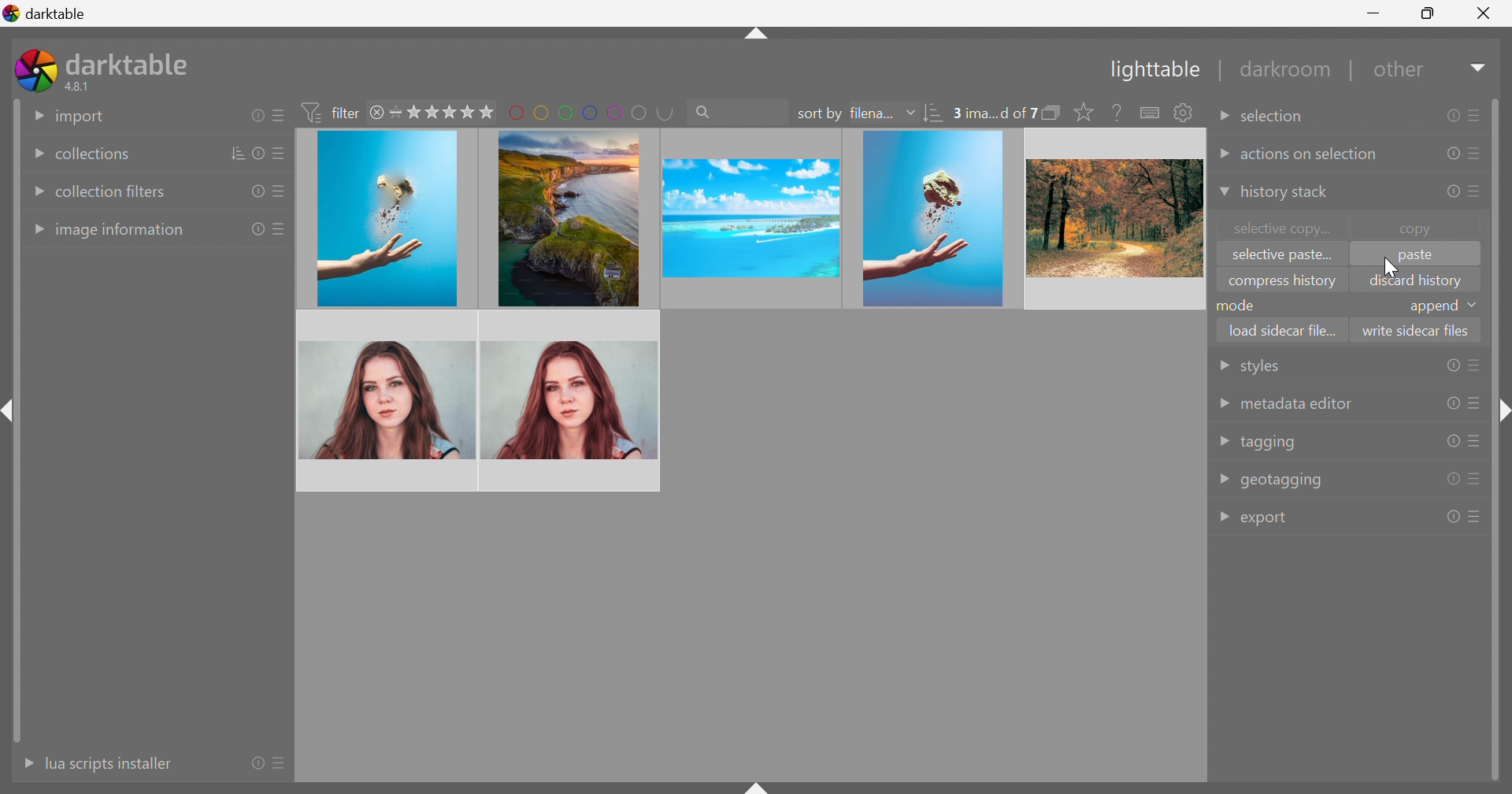  What do you see at coordinates (1182, 112) in the screenshot?
I see `show global preference` at bounding box center [1182, 112].